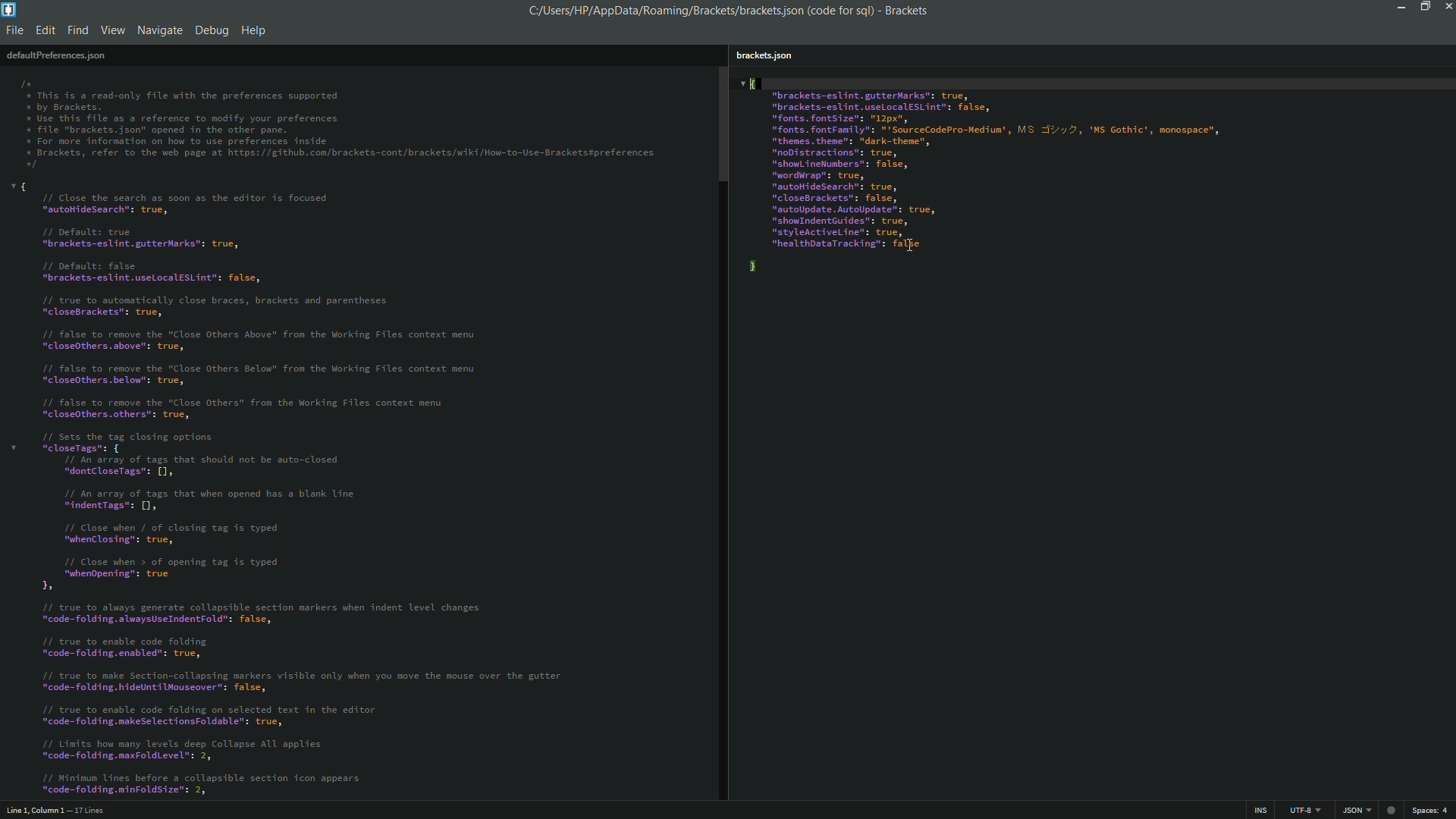 The image size is (1456, 819). Describe the element at coordinates (303, 487) in the screenshot. I see `Setting options` at that location.